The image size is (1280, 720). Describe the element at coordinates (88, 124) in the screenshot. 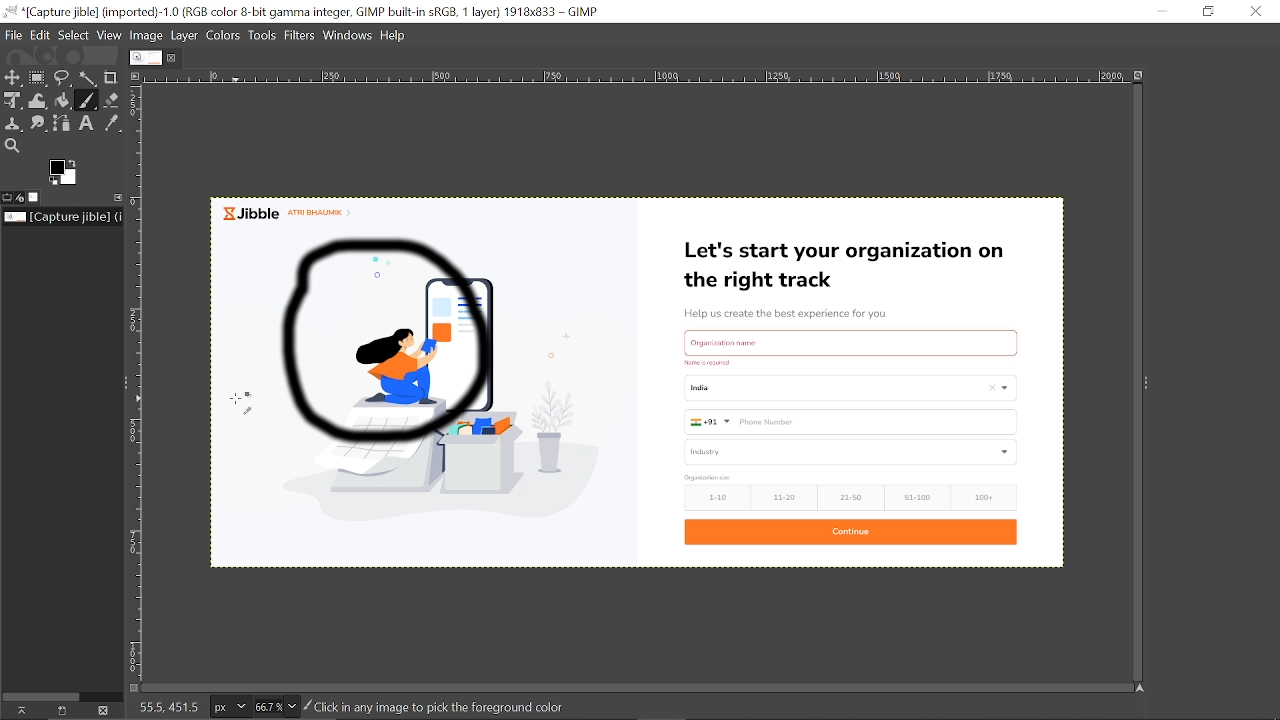

I see `text tool ` at that location.